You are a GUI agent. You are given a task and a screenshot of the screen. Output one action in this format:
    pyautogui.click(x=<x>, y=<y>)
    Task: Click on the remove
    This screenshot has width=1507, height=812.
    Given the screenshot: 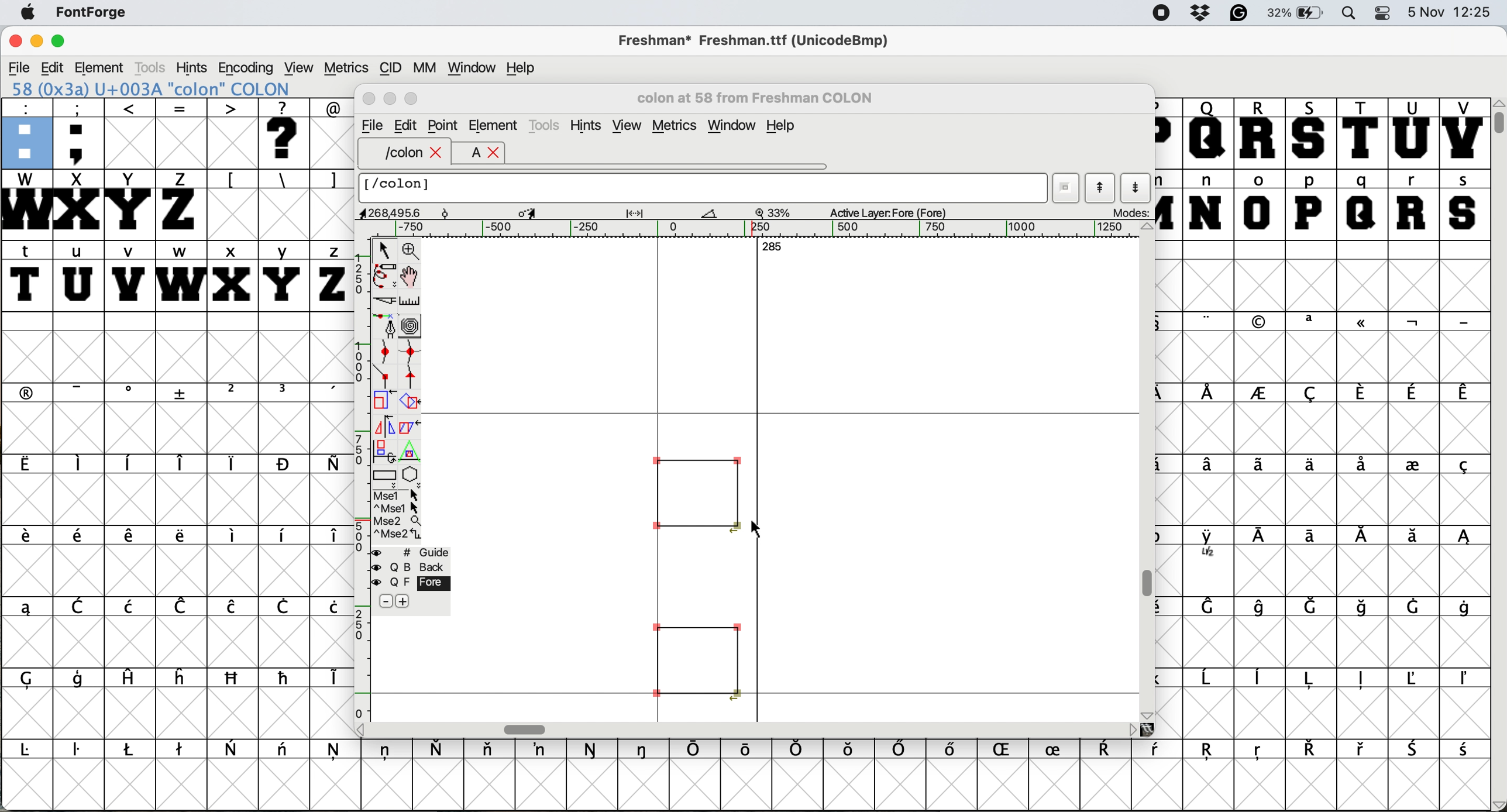 What is the action you would take?
    pyautogui.click(x=384, y=601)
    